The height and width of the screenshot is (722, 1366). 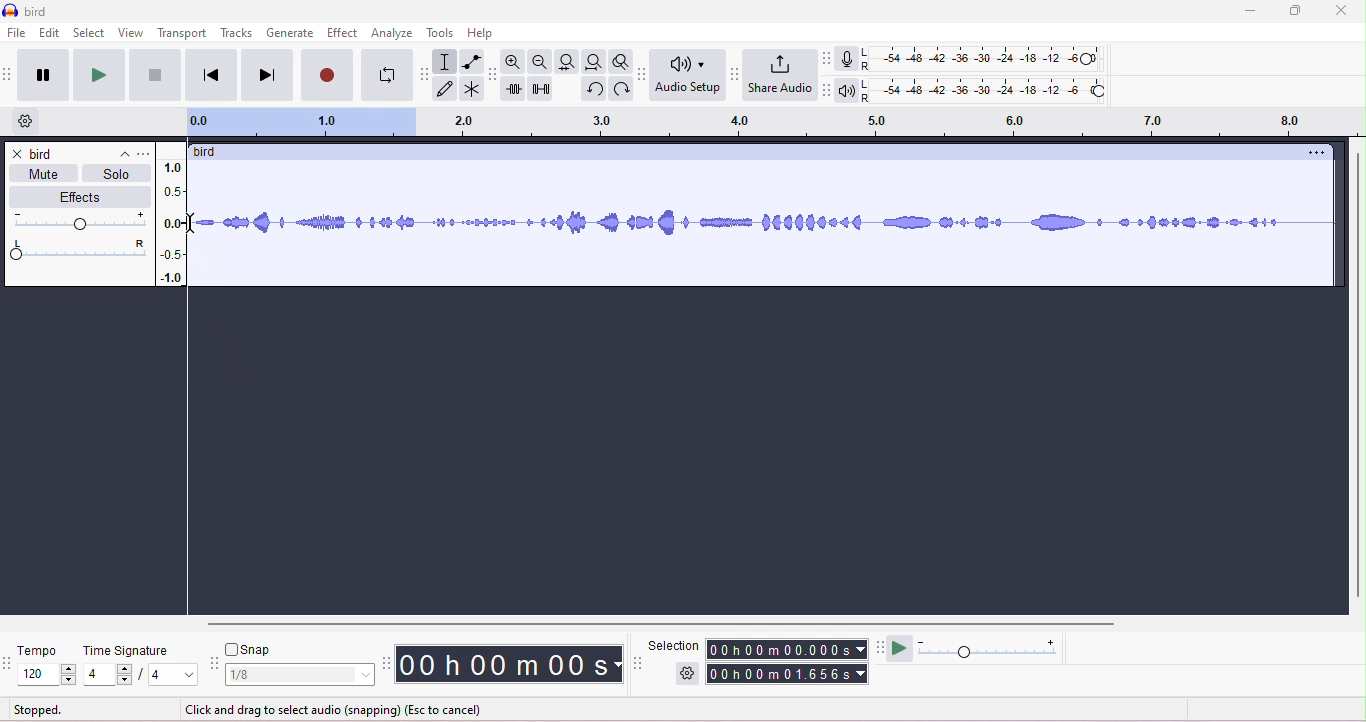 What do you see at coordinates (788, 648) in the screenshot?
I see `00h00m0.000s (start time) ` at bounding box center [788, 648].